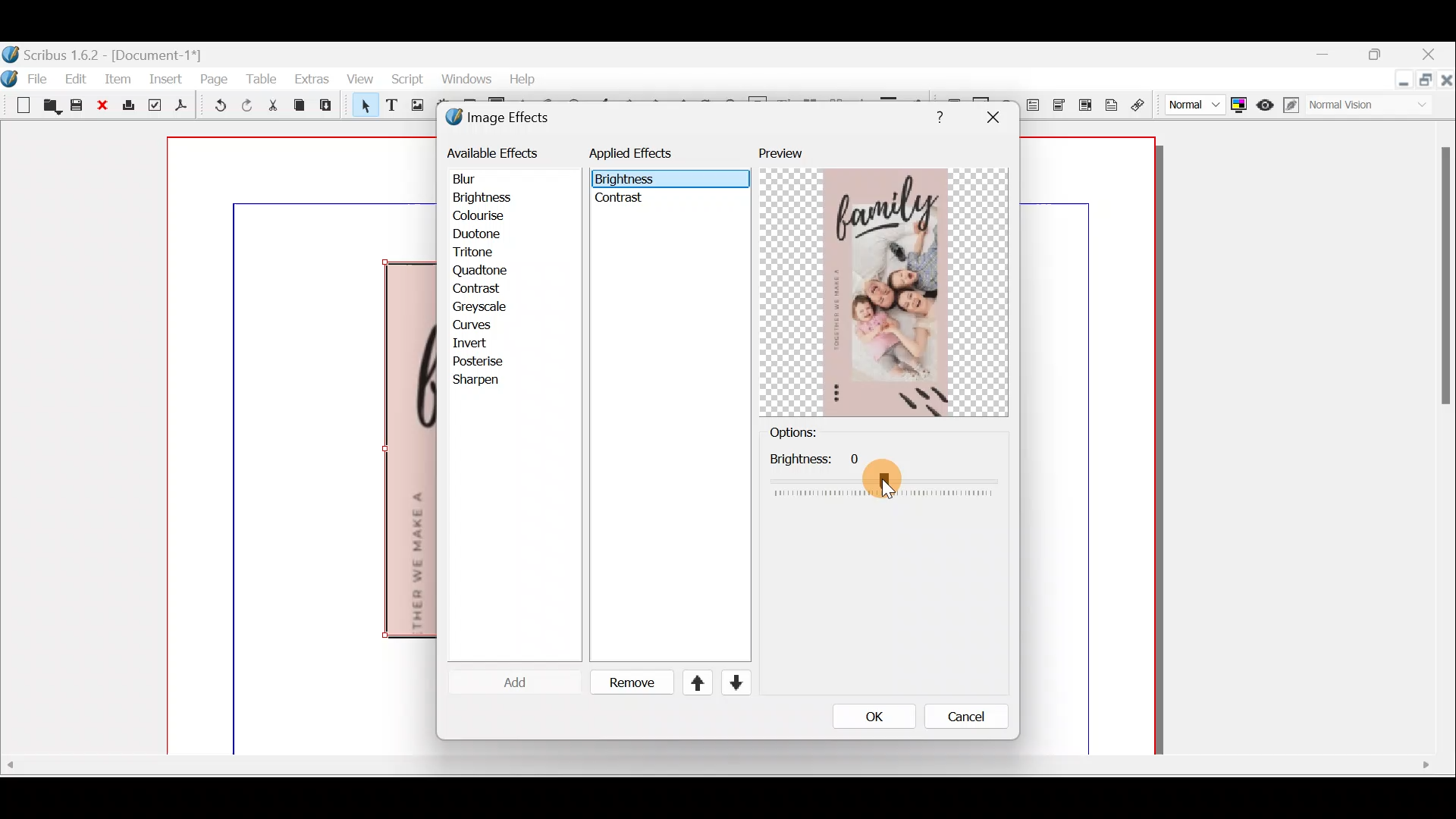  What do you see at coordinates (406, 81) in the screenshot?
I see `Script` at bounding box center [406, 81].